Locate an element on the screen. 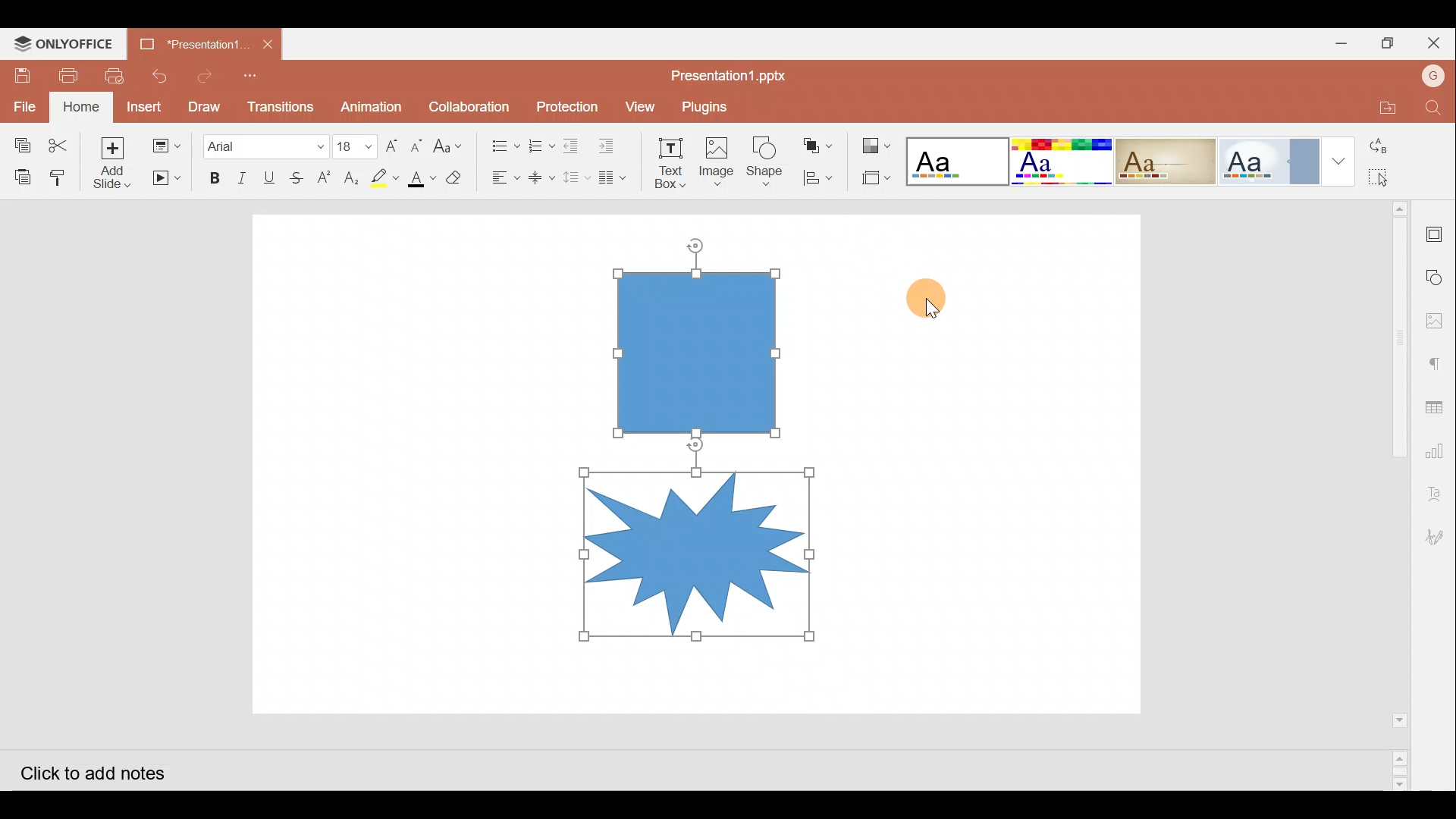 This screenshot has width=1456, height=819. Subscript is located at coordinates (350, 175).